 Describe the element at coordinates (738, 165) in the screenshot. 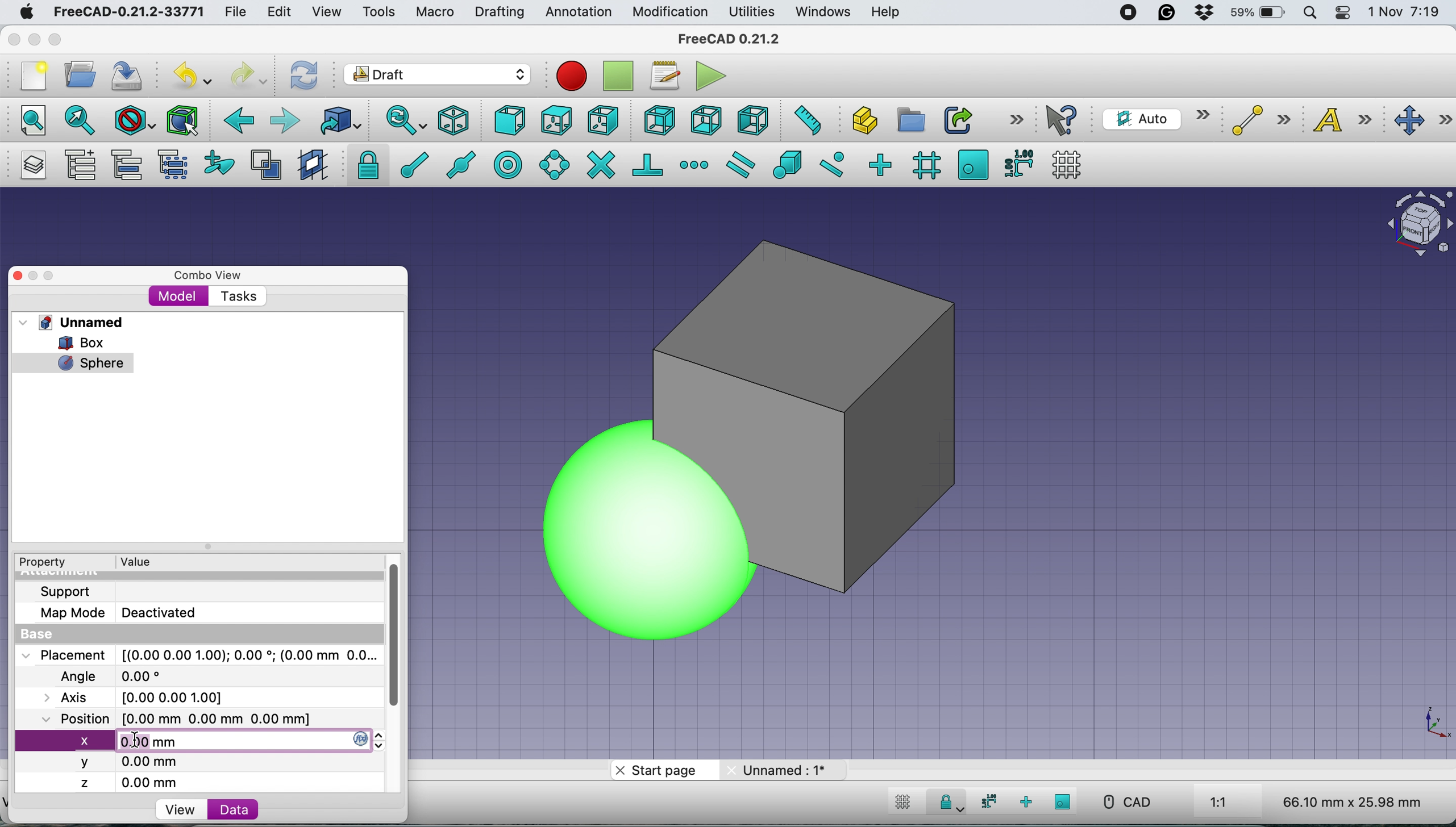

I see `snap parallel` at that location.